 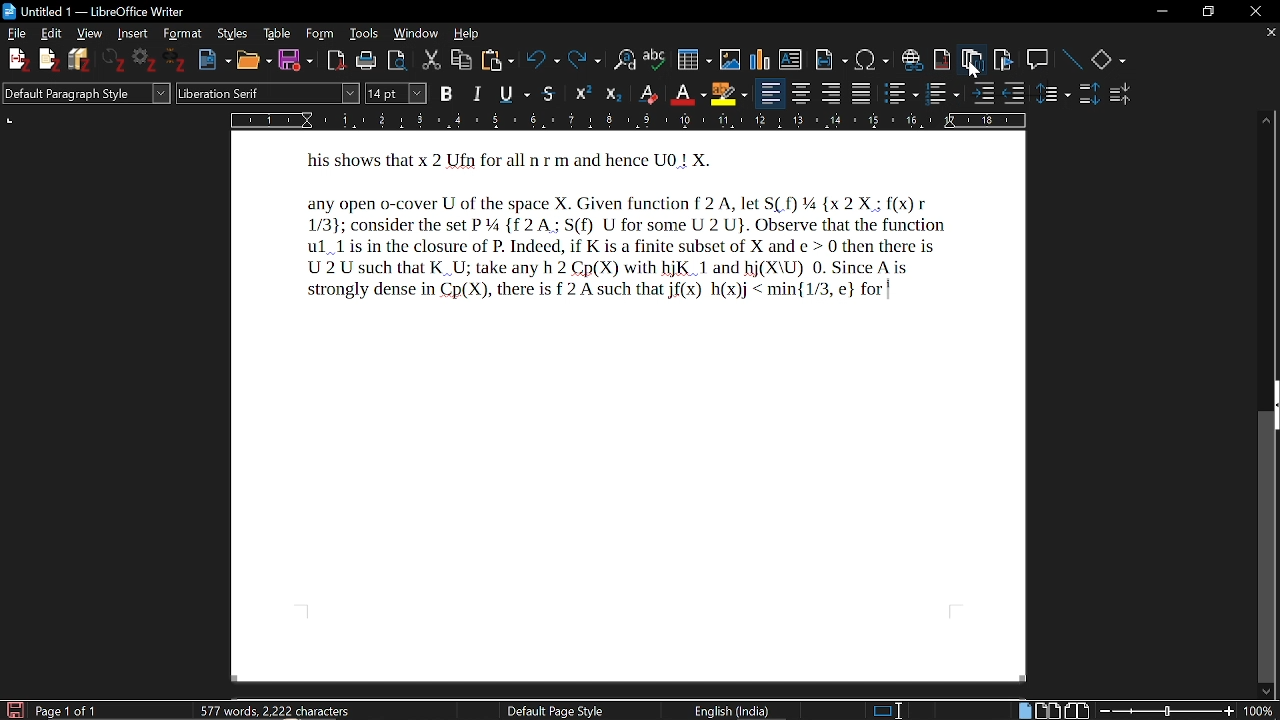 I want to click on Check spelling, so click(x=656, y=61).